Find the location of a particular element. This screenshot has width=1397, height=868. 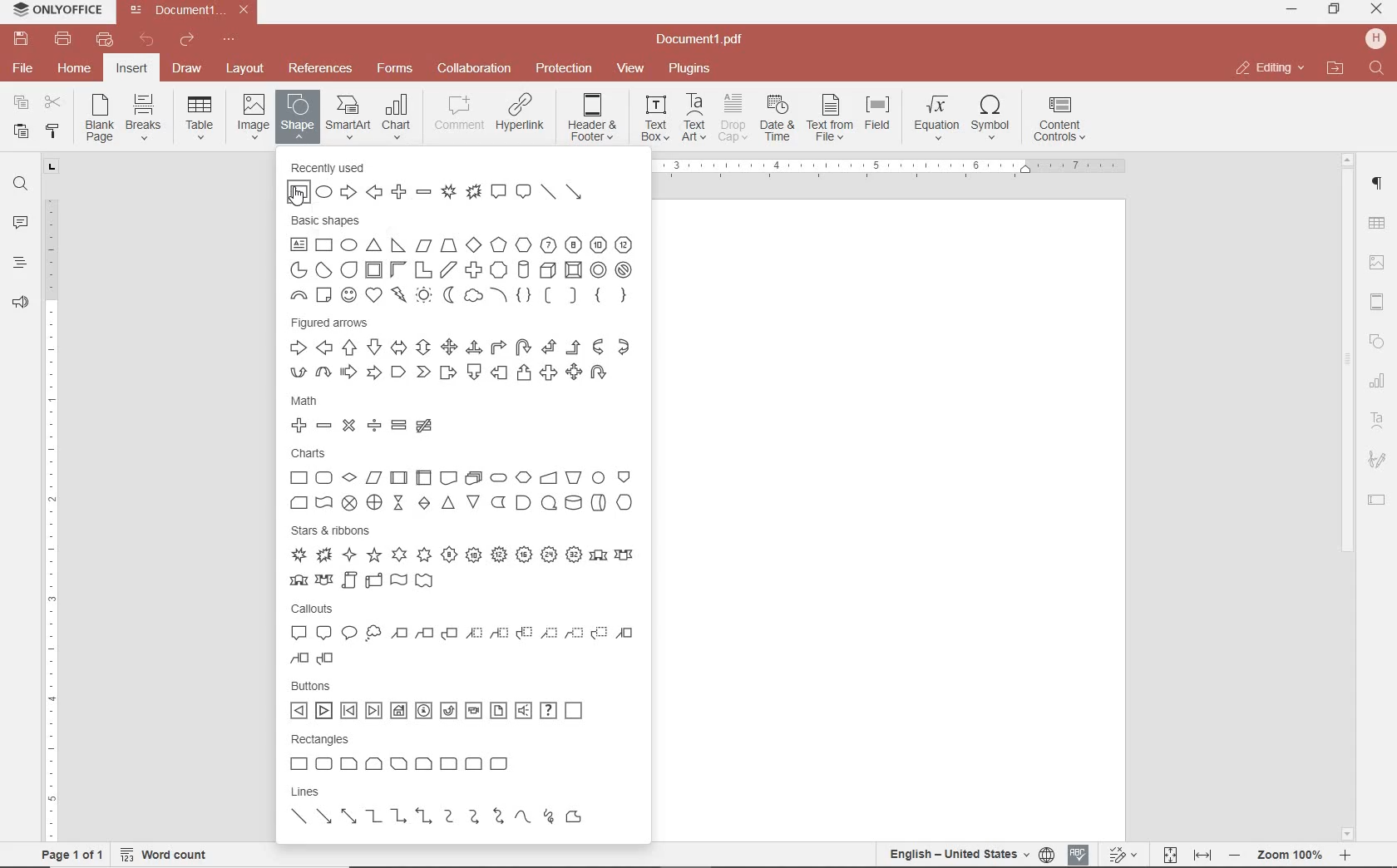

INSERT TEXT ART is located at coordinates (694, 118).